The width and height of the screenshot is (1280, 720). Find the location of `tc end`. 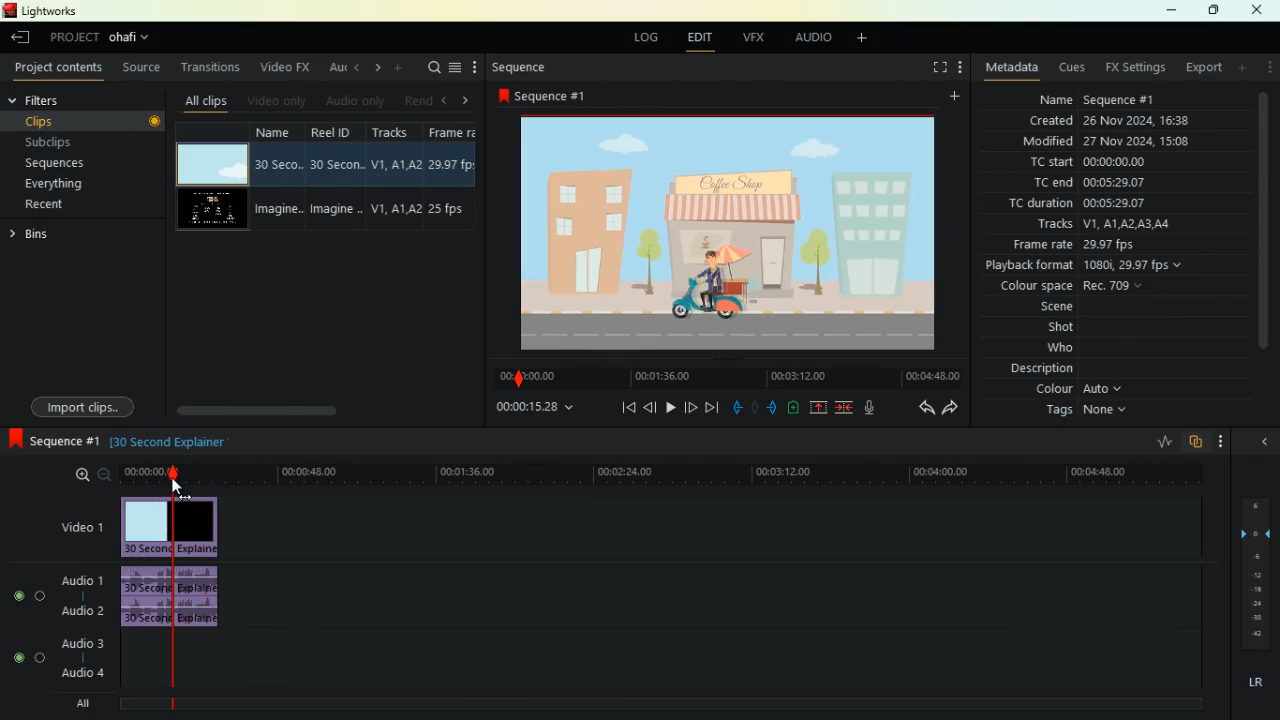

tc end is located at coordinates (1051, 183).